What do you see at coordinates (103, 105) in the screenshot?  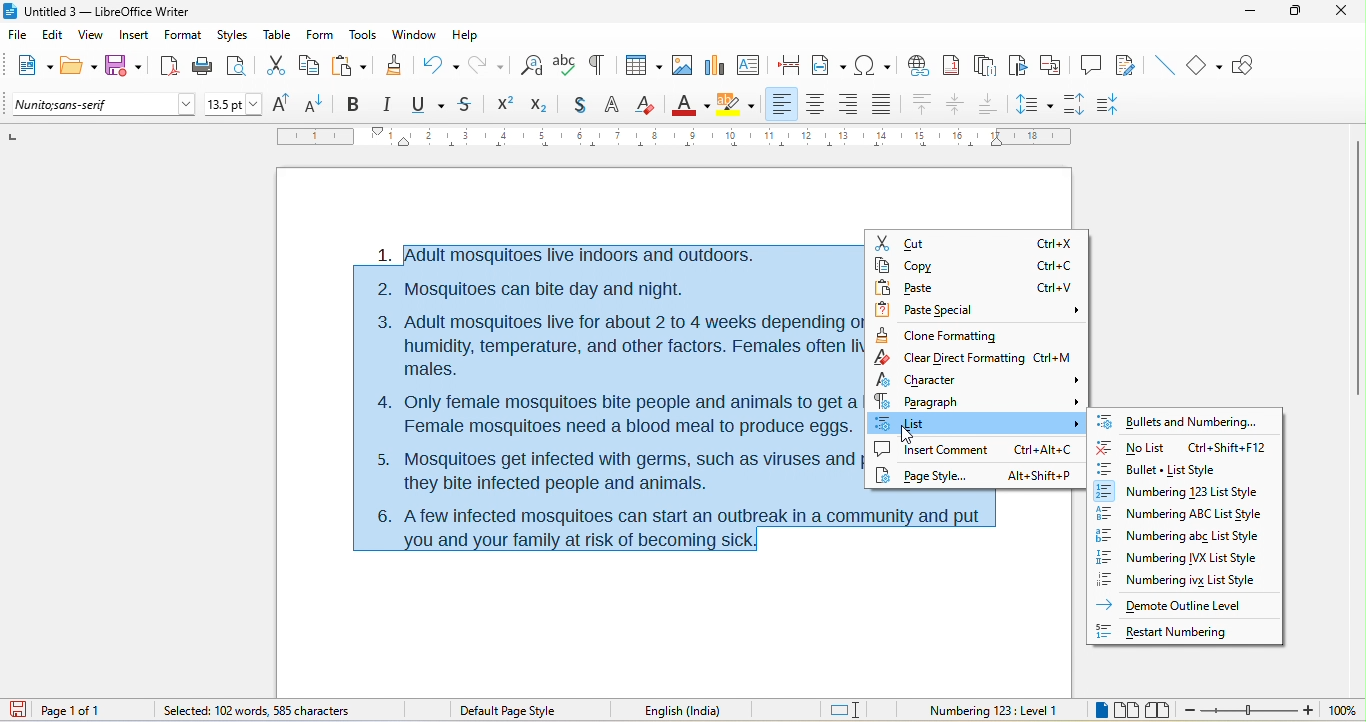 I see `font name` at bounding box center [103, 105].